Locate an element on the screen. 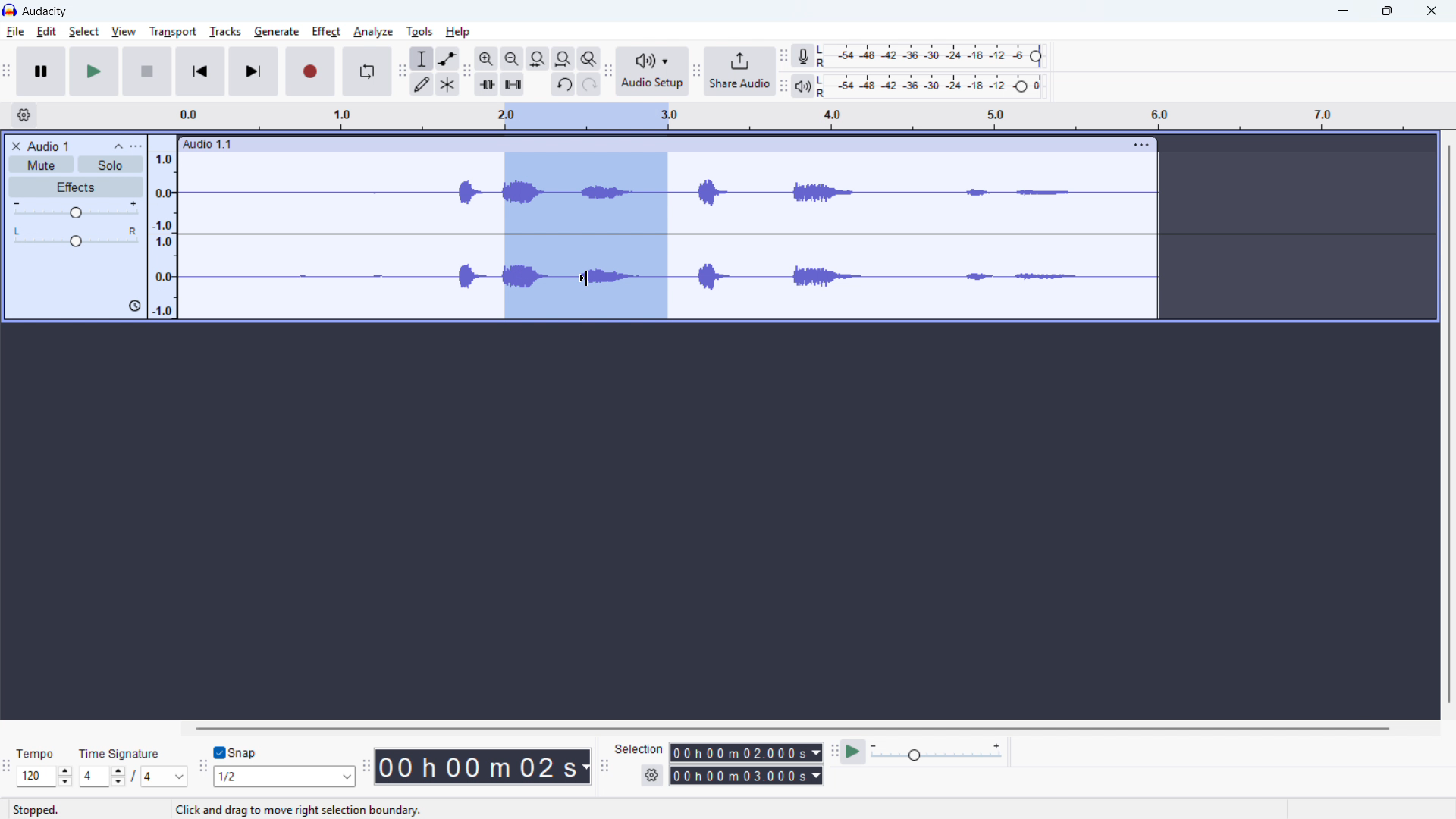 This screenshot has height=819, width=1456. Audio setup is located at coordinates (652, 71).